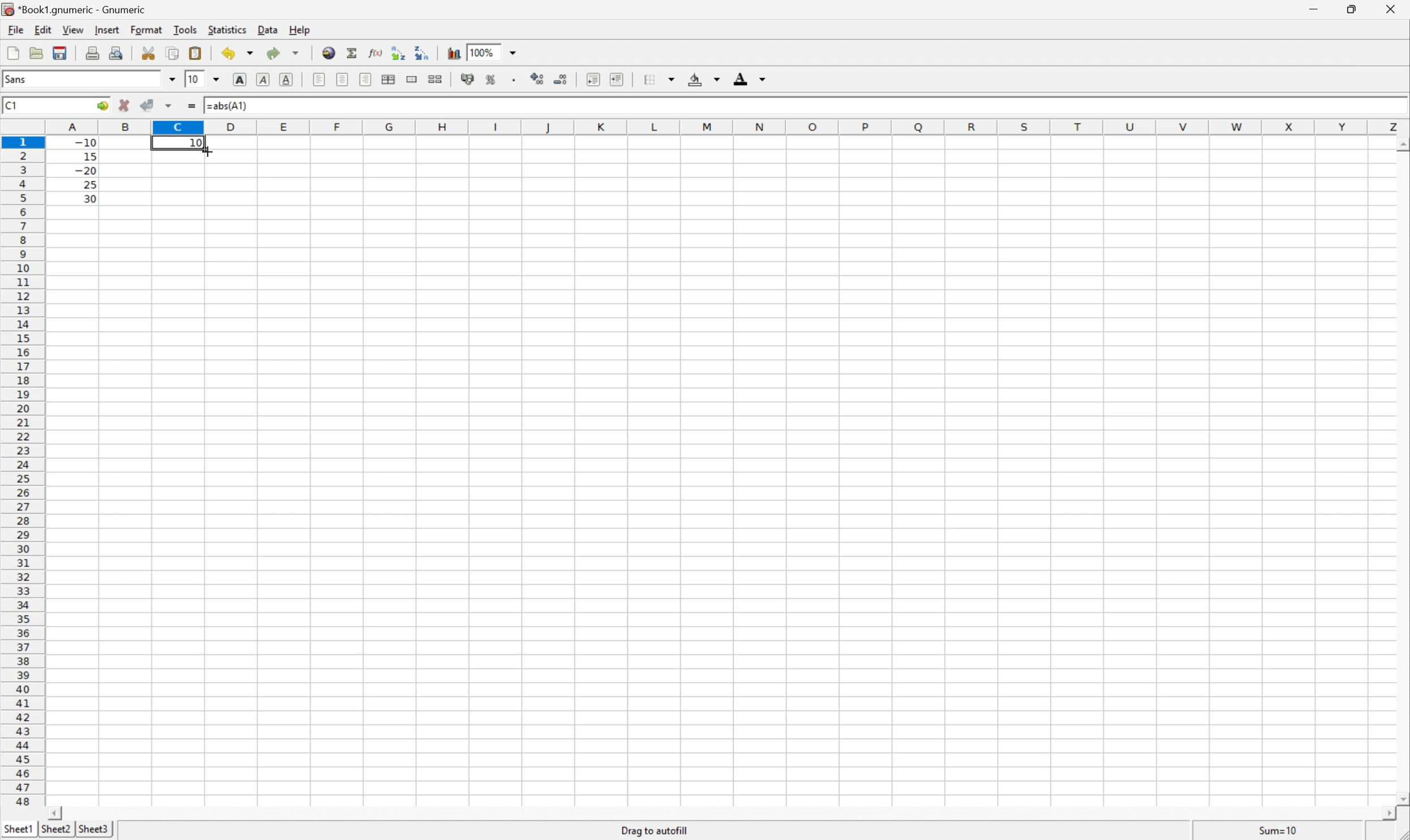  I want to click on split merged ranges of cells, so click(435, 78).